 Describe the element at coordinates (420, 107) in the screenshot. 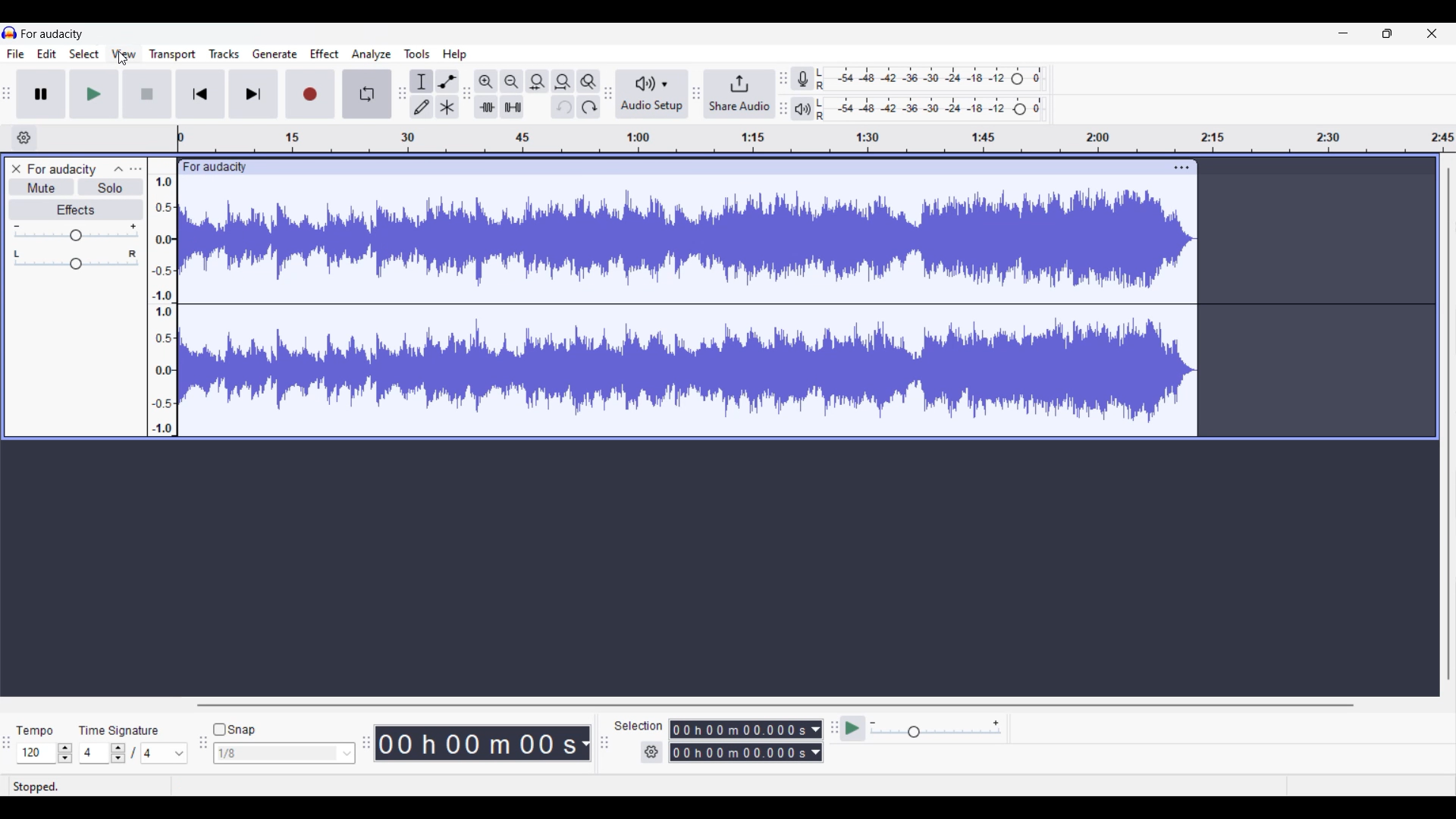

I see `Draw tool` at that location.